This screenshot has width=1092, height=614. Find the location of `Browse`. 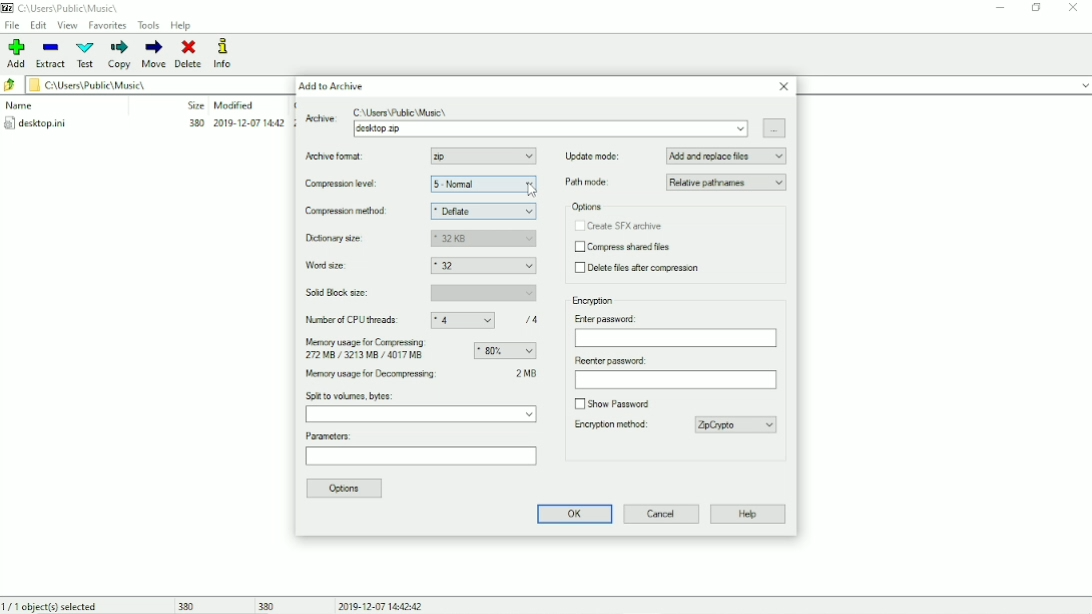

Browse is located at coordinates (776, 128).